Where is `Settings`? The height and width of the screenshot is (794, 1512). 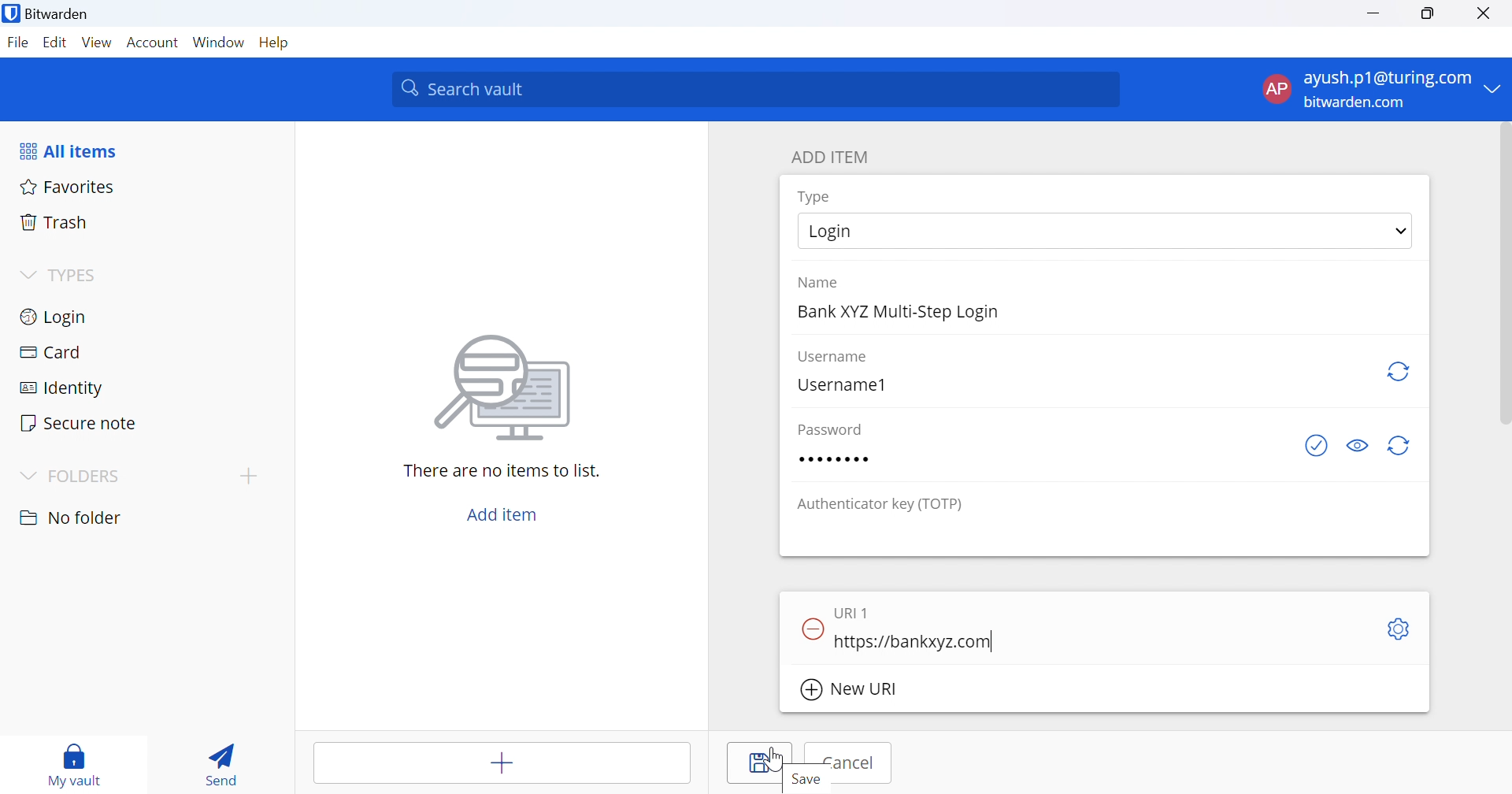 Settings is located at coordinates (1401, 629).